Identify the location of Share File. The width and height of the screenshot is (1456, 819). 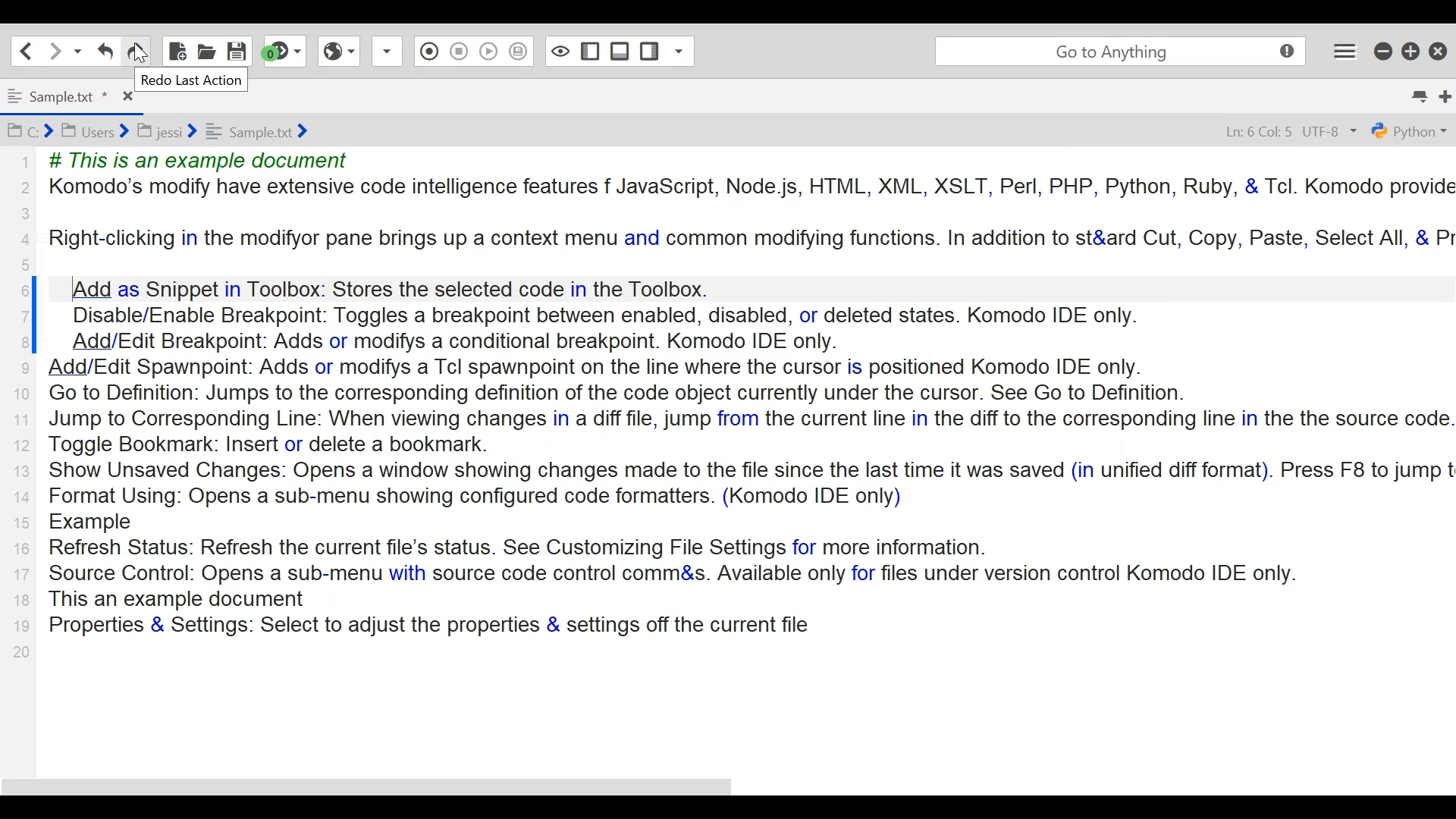
(385, 51).